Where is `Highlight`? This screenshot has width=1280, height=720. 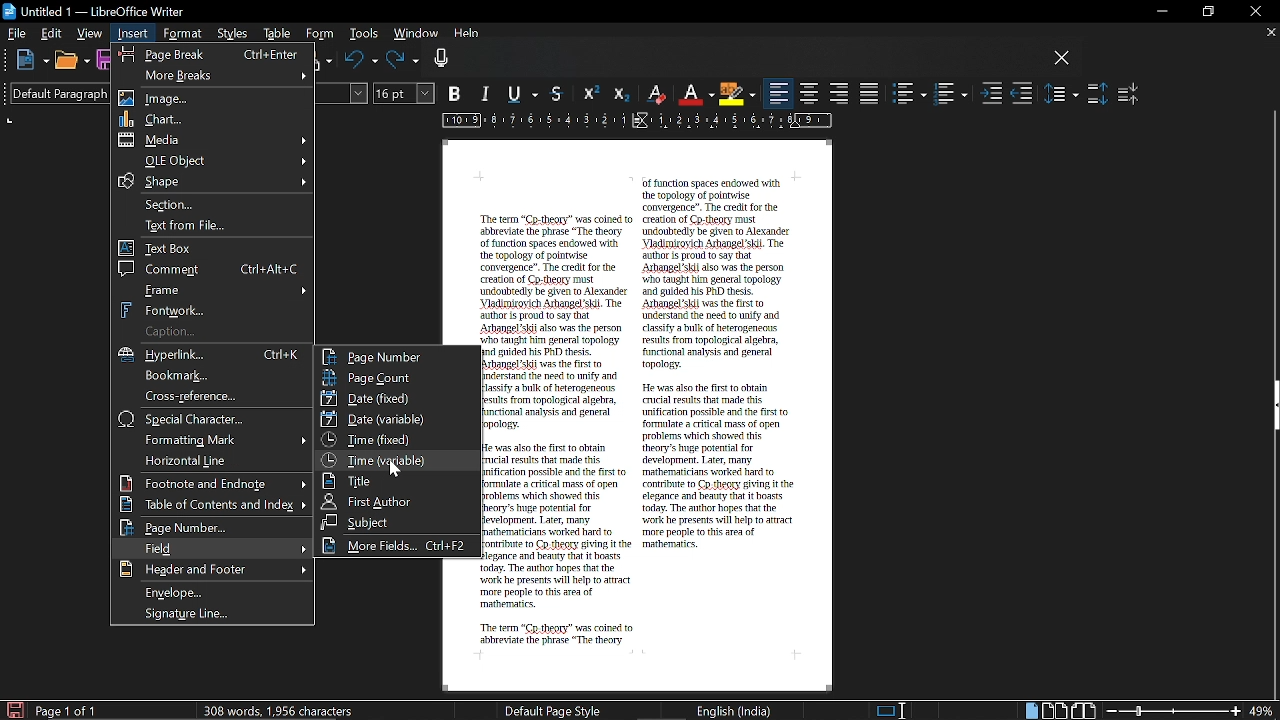
Highlight is located at coordinates (736, 93).